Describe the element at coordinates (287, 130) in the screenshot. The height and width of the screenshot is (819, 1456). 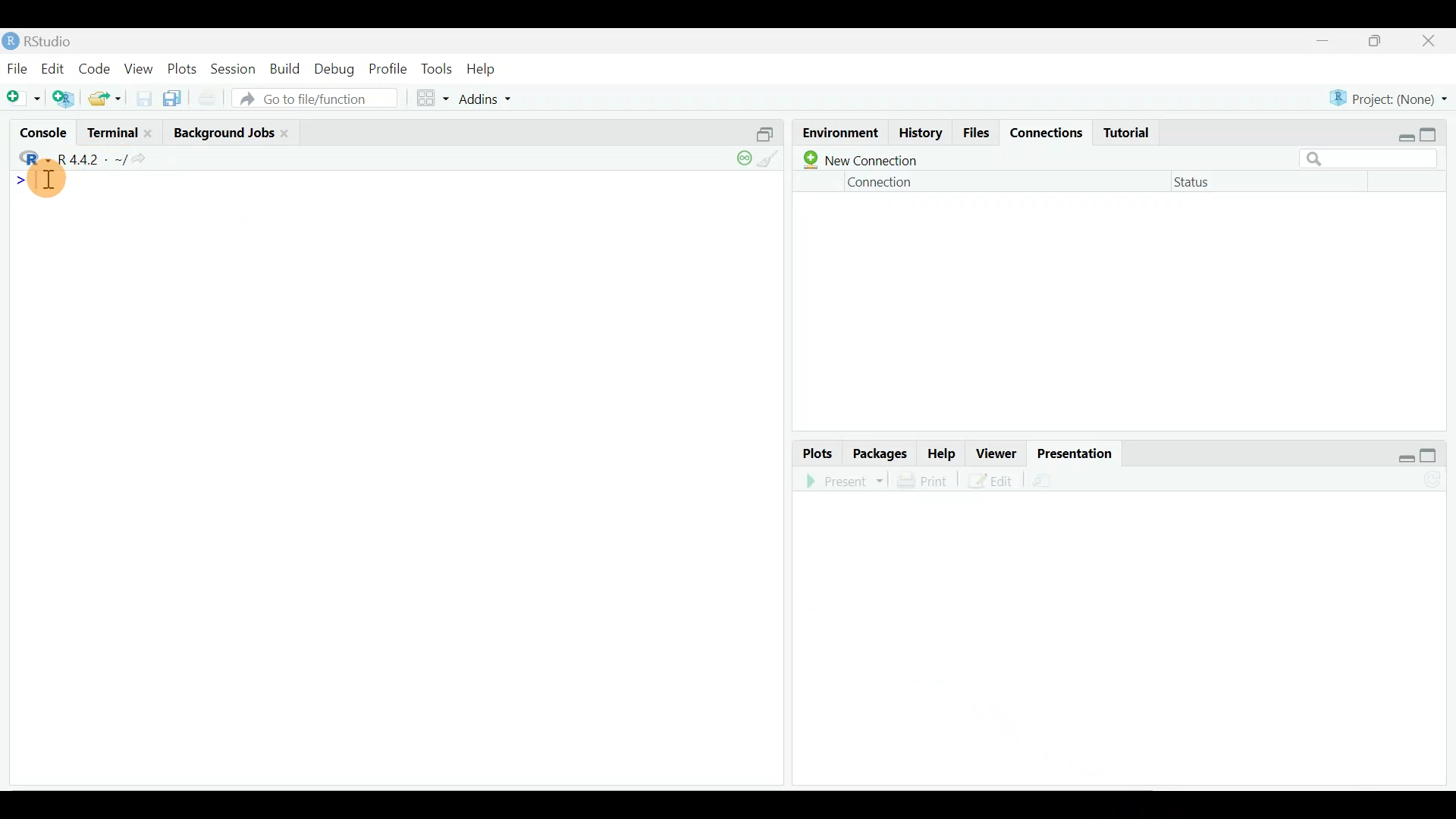
I see `close Background jobs` at that location.